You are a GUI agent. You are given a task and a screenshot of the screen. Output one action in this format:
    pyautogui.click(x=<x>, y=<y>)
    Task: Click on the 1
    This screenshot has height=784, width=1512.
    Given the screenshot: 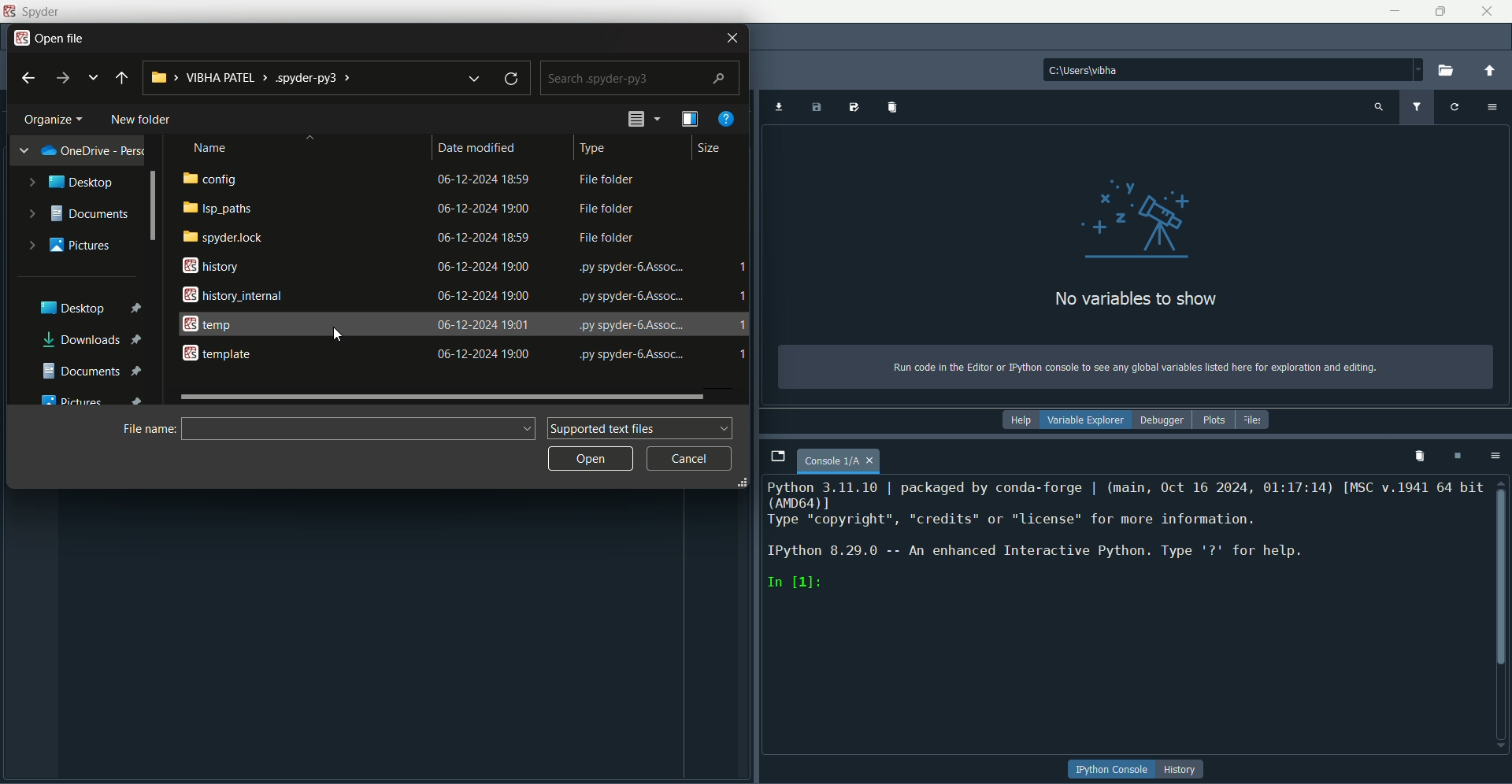 What is the action you would take?
    pyautogui.click(x=741, y=265)
    